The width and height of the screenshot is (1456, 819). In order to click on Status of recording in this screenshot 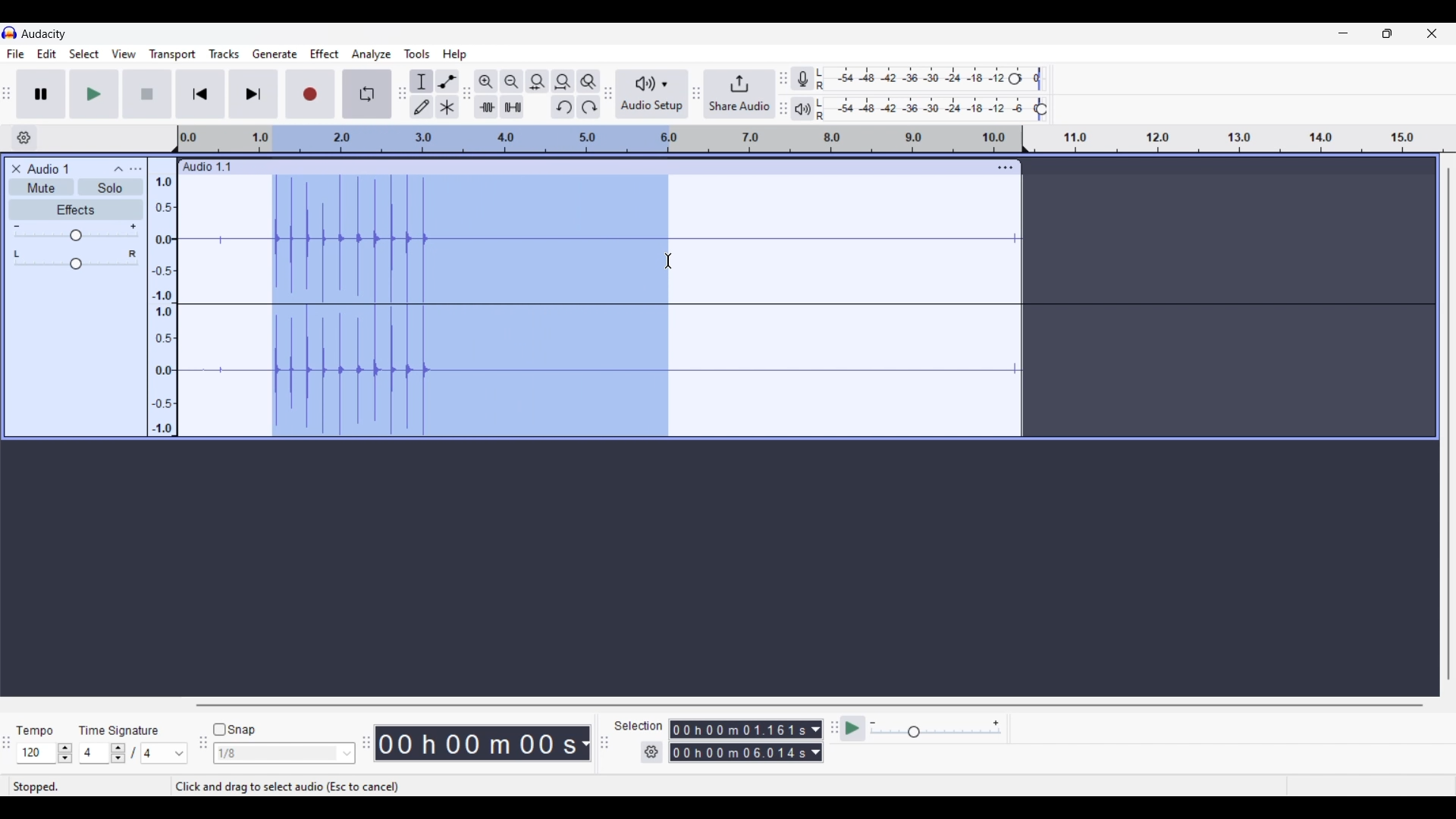, I will do `click(89, 786)`.